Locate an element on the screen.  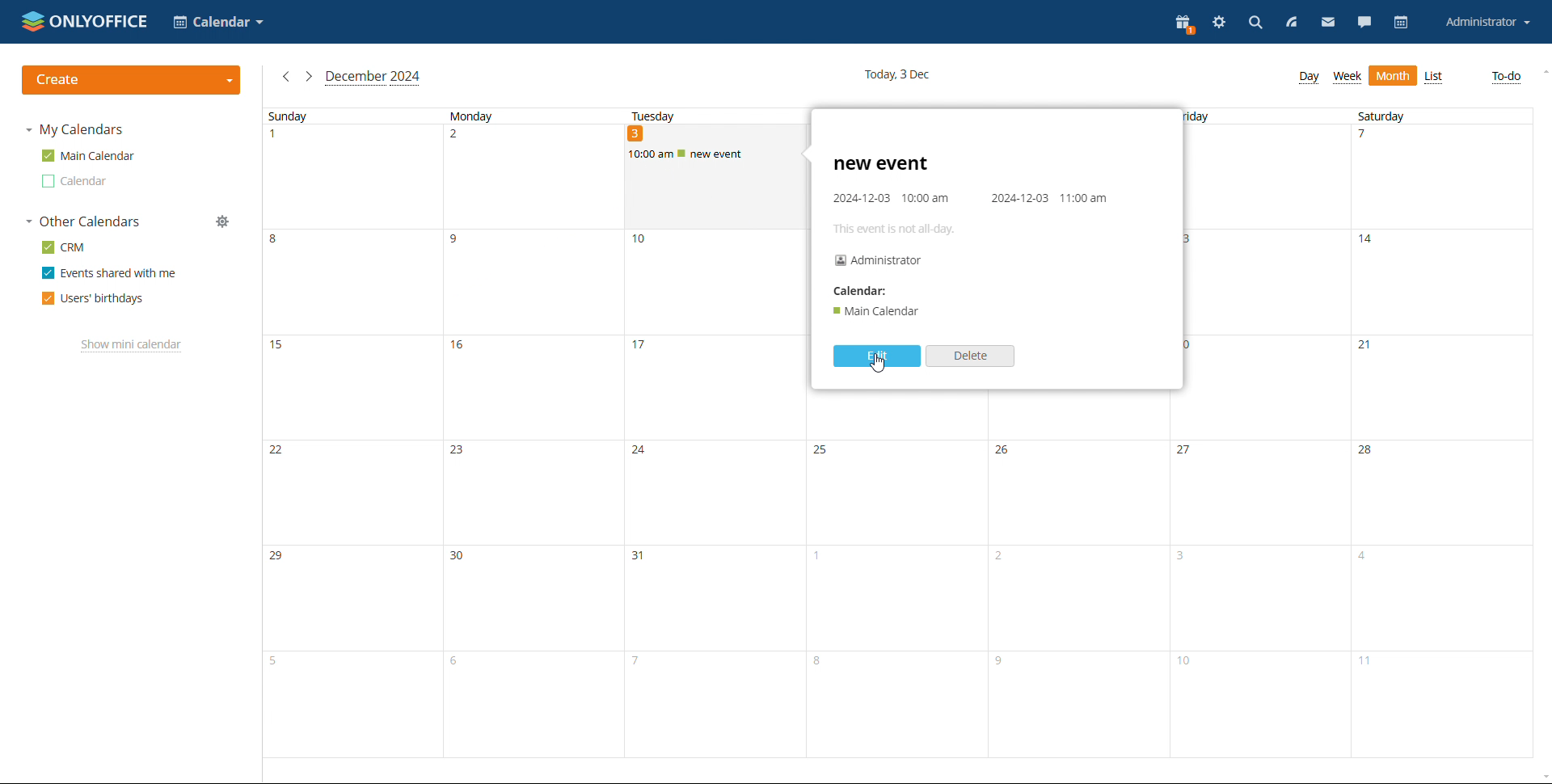
month view is located at coordinates (1393, 76).